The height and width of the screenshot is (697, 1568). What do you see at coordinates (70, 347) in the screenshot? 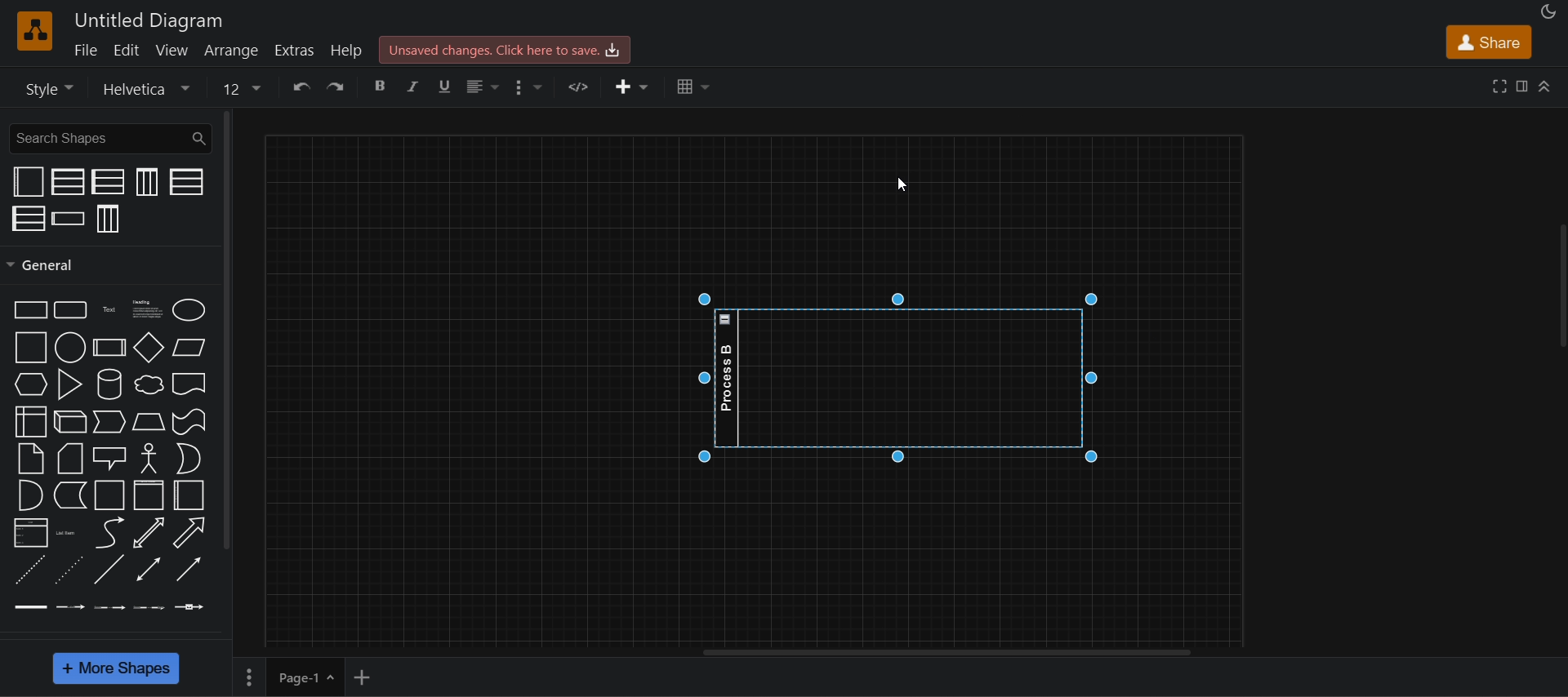
I see `circle` at bounding box center [70, 347].